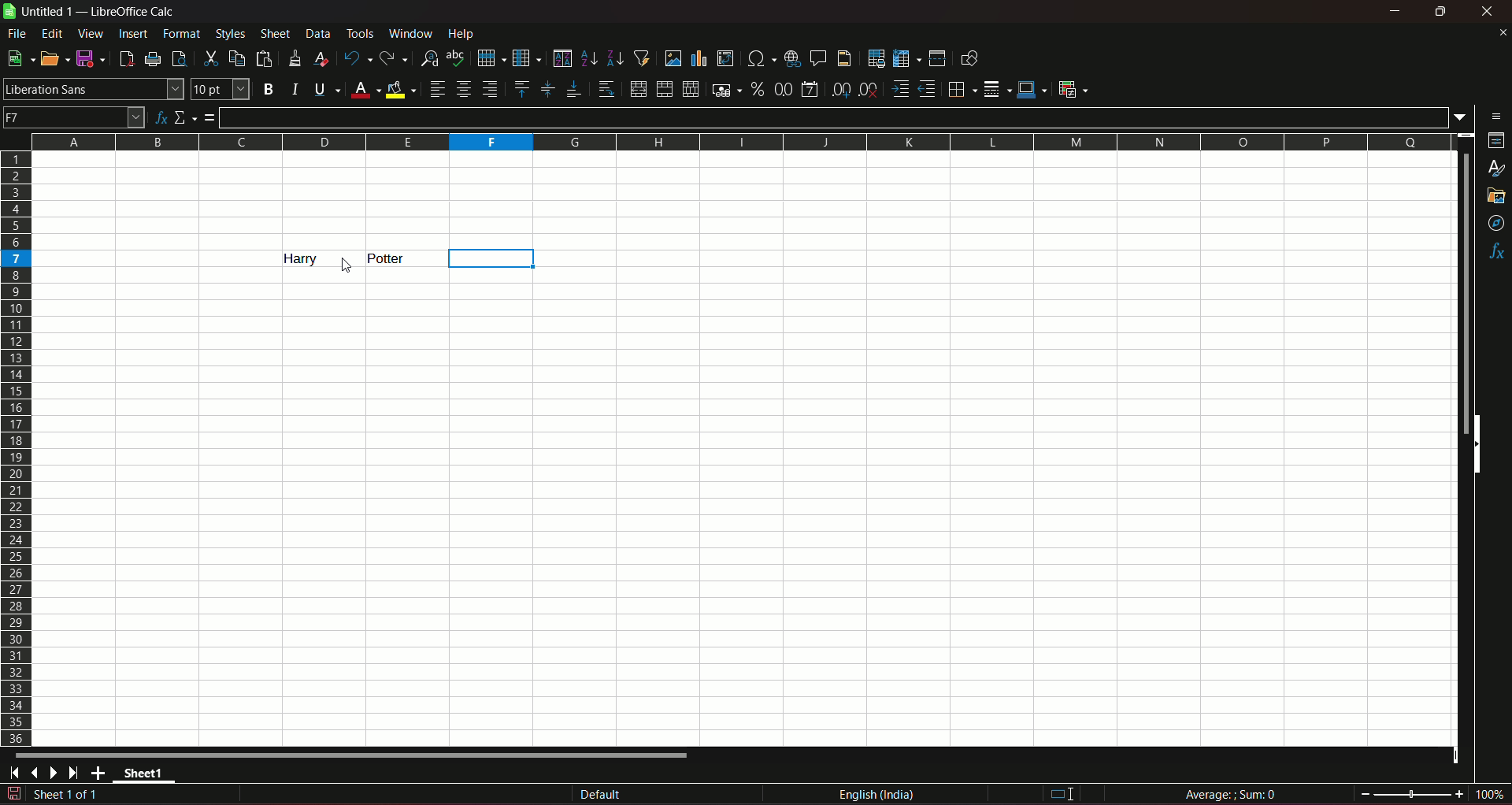 This screenshot has height=805, width=1512. What do you see at coordinates (1498, 169) in the screenshot?
I see `styles` at bounding box center [1498, 169].